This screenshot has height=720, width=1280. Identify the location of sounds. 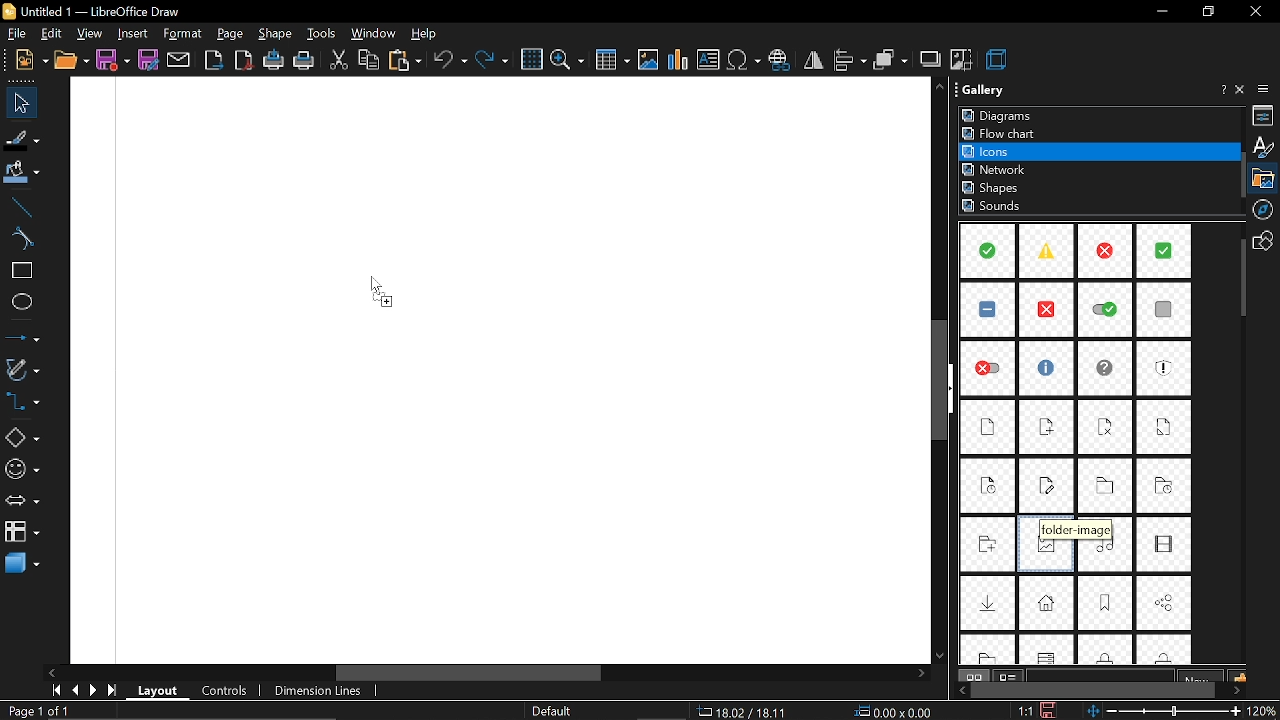
(994, 207).